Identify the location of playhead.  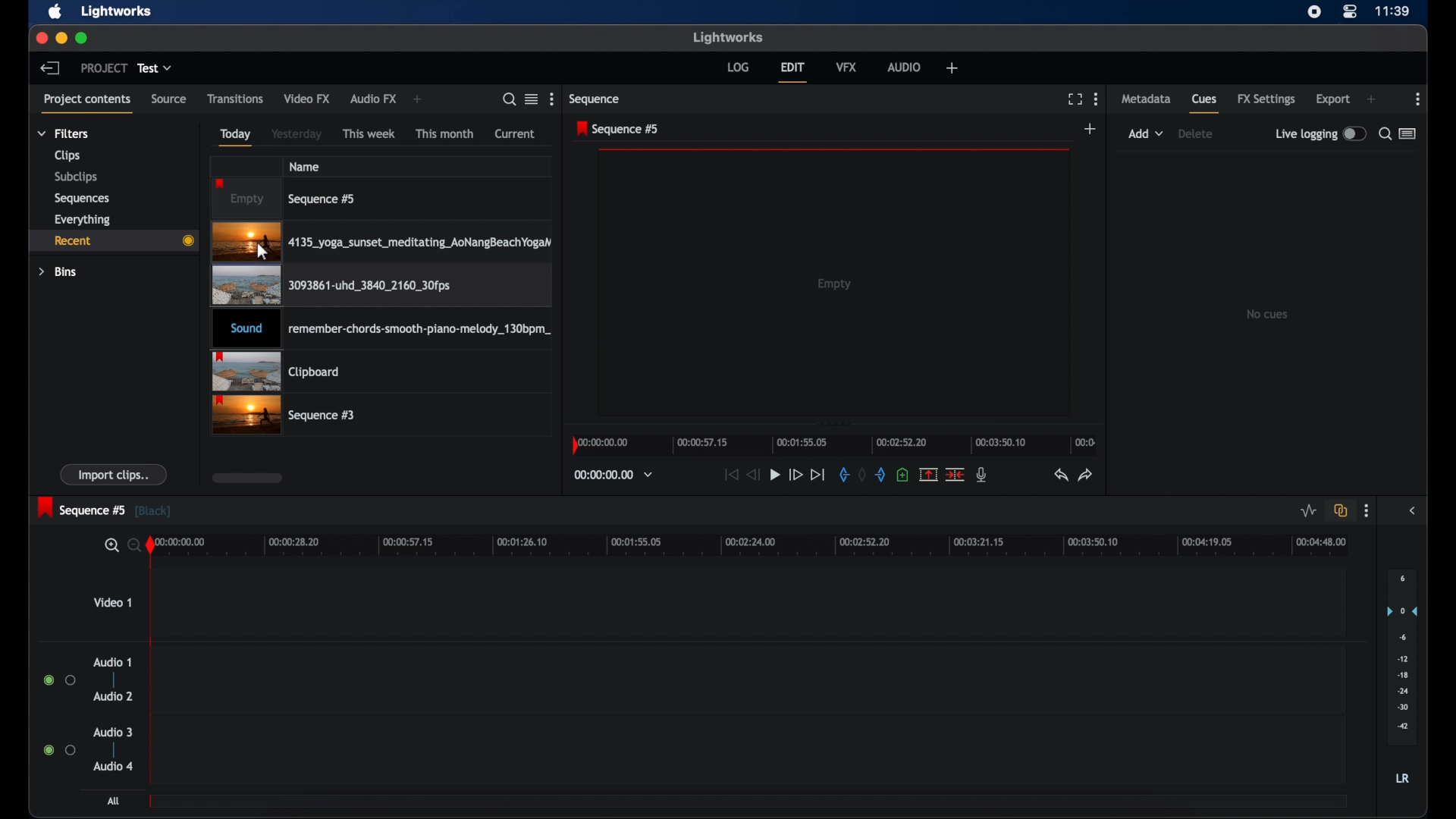
(150, 660).